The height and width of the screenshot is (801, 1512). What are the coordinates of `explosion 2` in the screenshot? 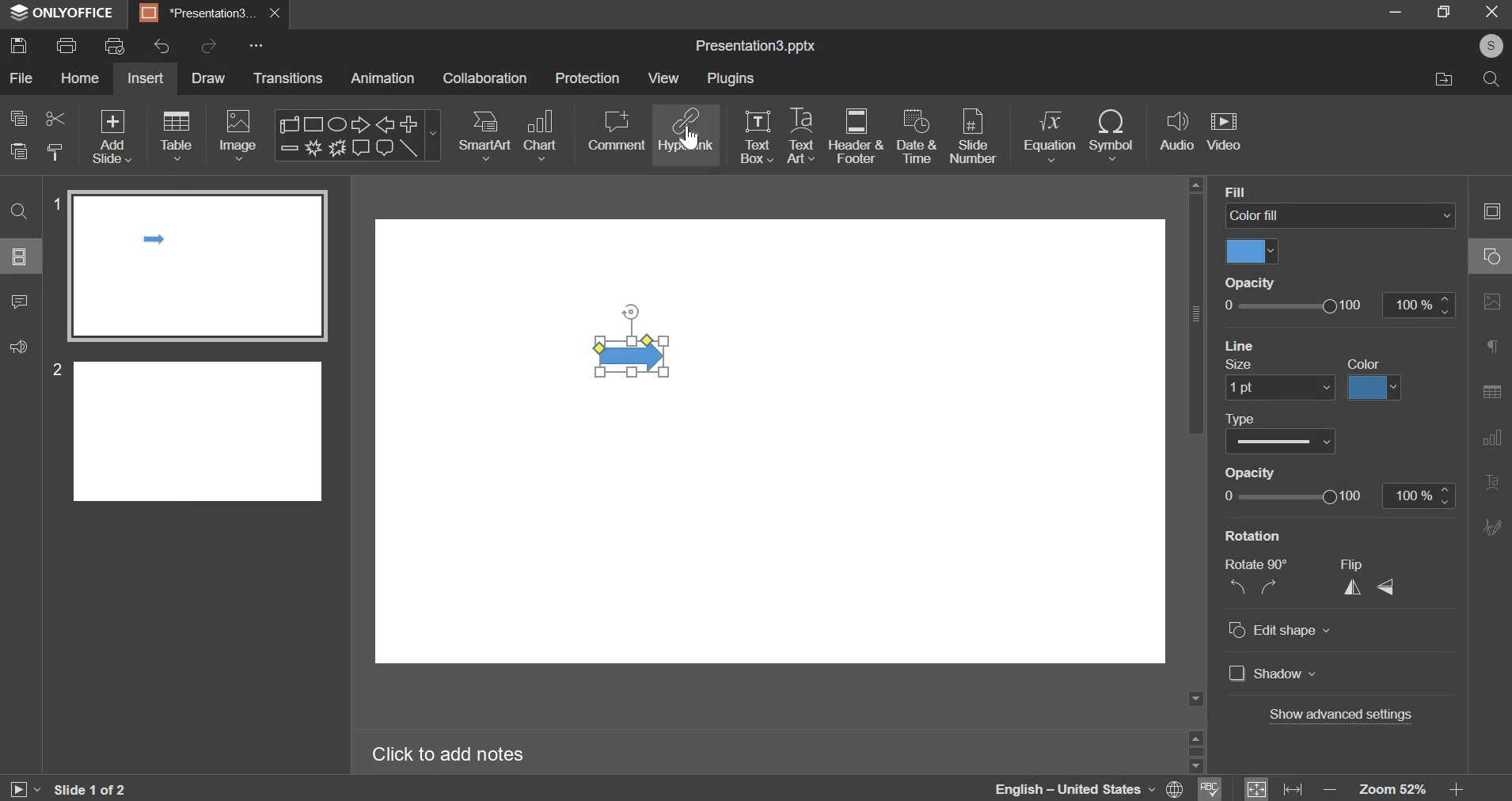 It's located at (336, 148).